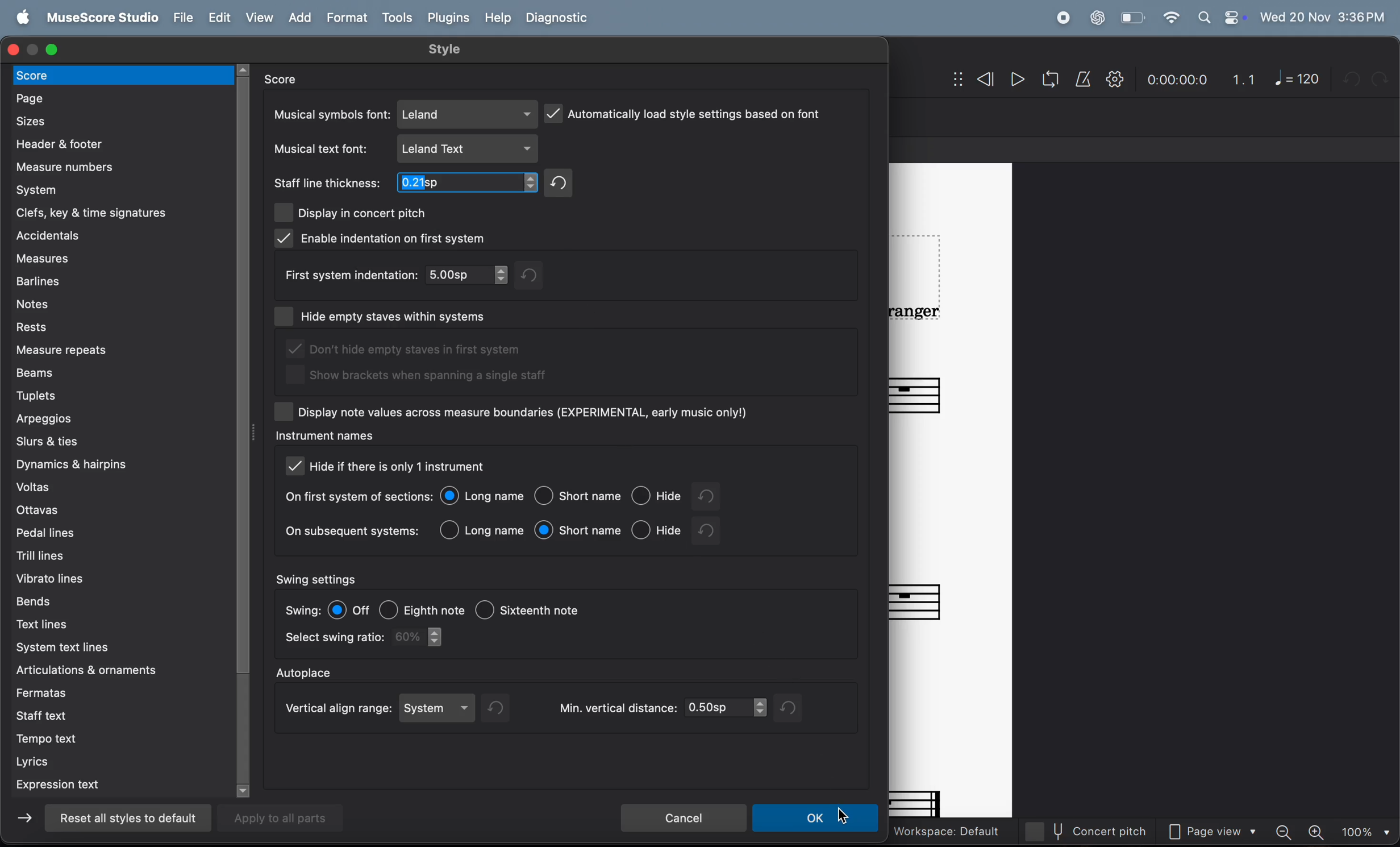 The height and width of the screenshot is (847, 1400). What do you see at coordinates (448, 18) in the screenshot?
I see `plugins` at bounding box center [448, 18].